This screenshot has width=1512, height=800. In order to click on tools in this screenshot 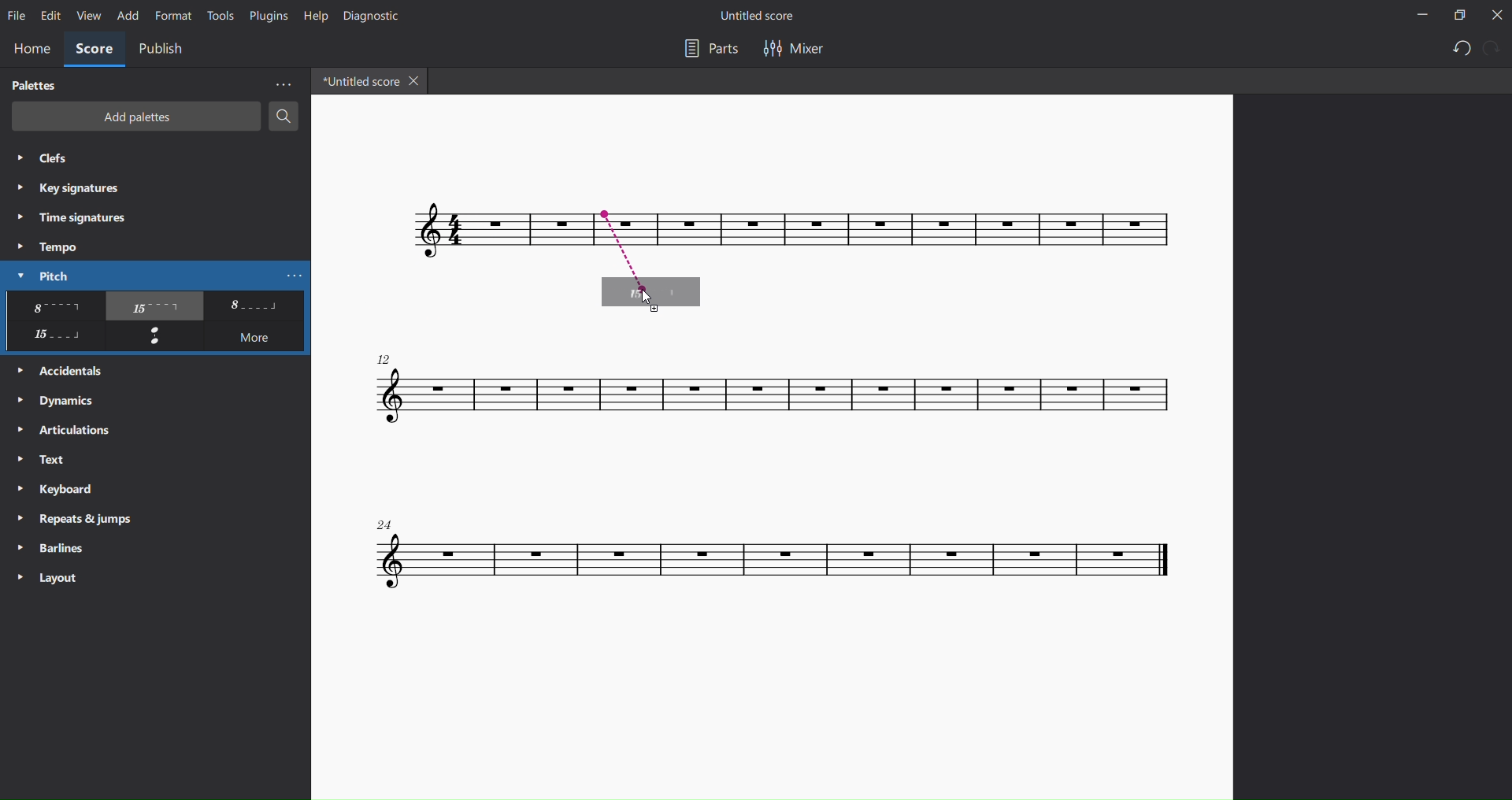, I will do `click(220, 16)`.